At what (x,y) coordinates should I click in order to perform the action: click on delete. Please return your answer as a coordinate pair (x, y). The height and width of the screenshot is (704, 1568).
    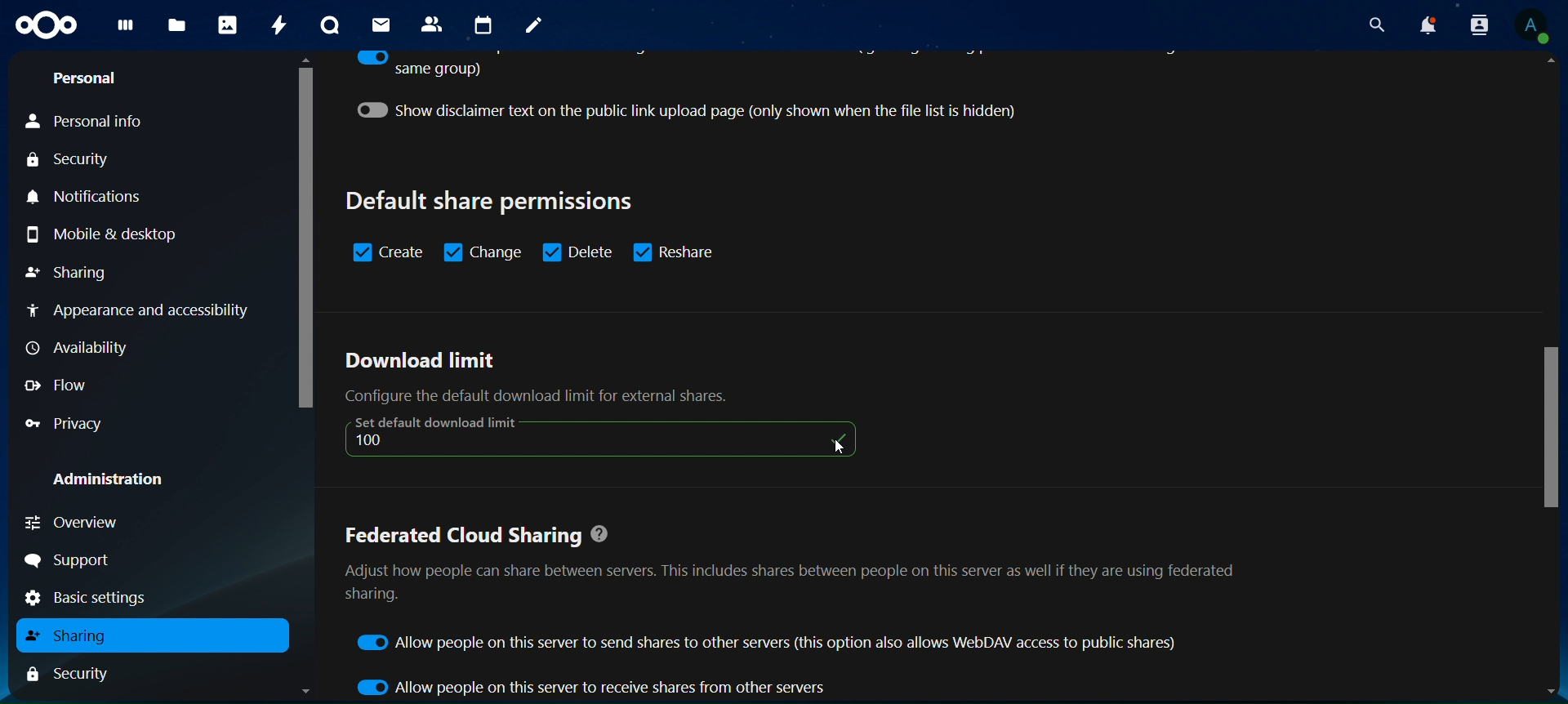
    Looking at the image, I should click on (577, 251).